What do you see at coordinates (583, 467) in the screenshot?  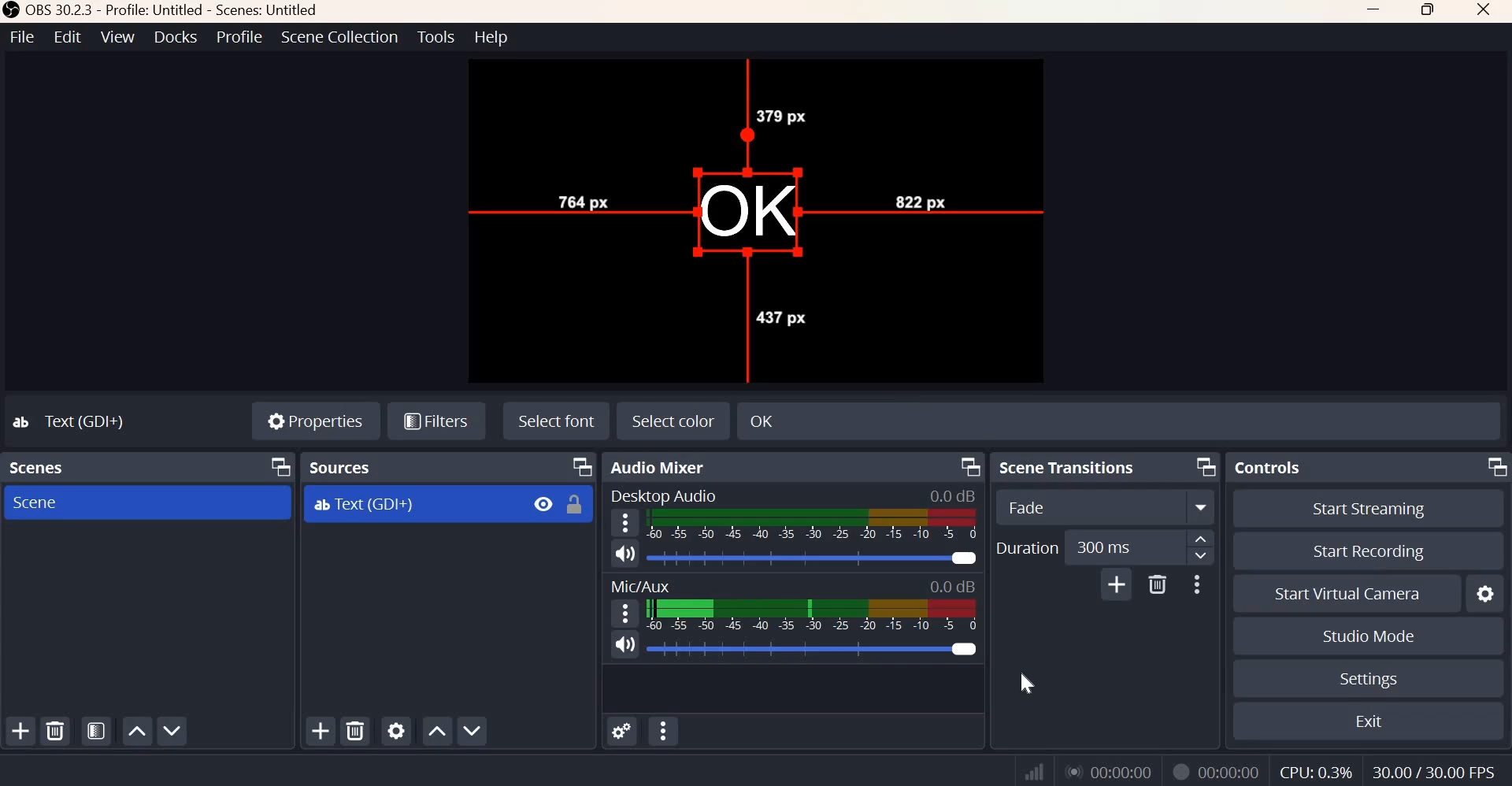 I see `Dock Options icon` at bounding box center [583, 467].